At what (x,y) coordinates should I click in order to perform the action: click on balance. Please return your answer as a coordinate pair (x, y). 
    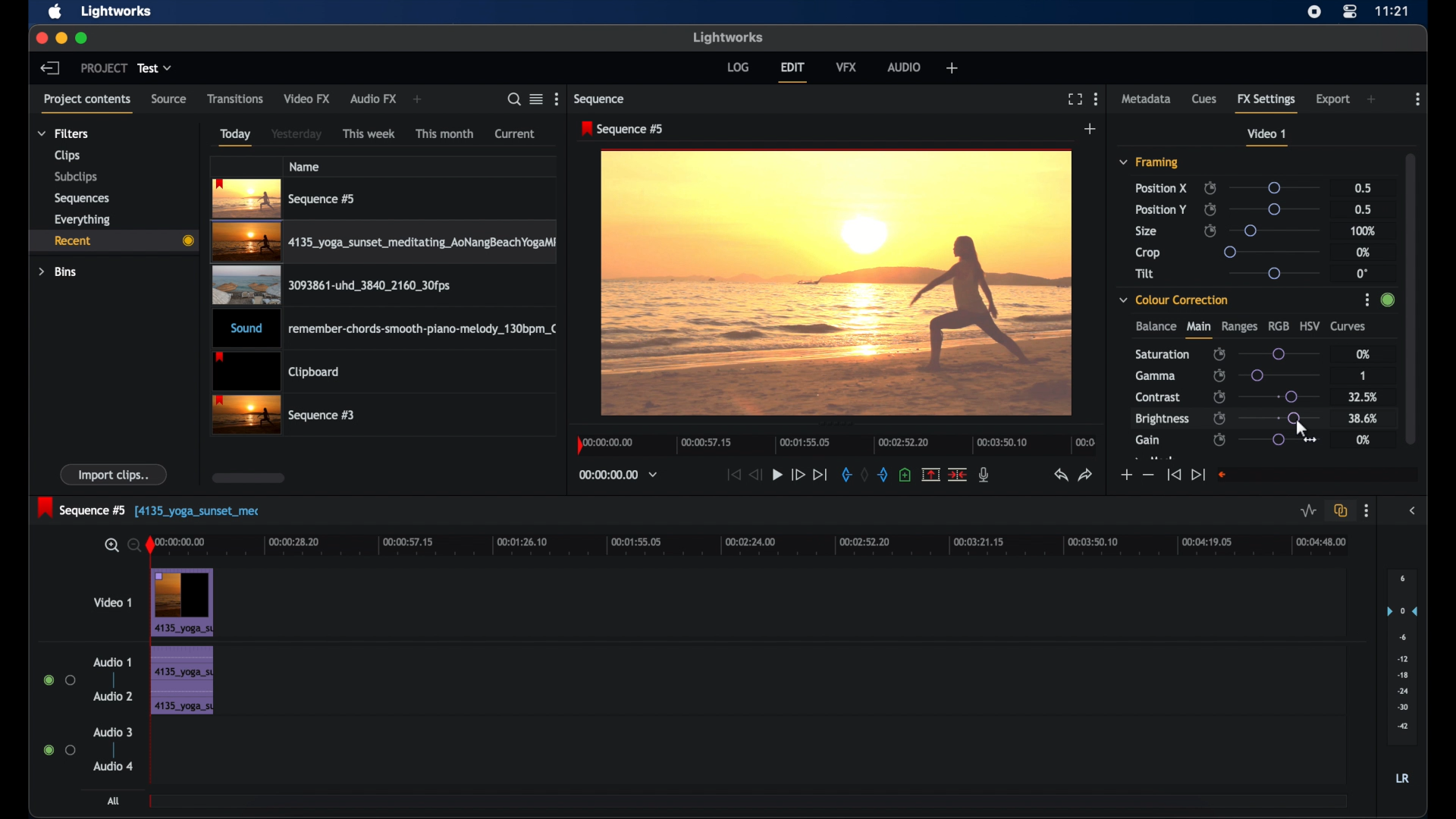
    Looking at the image, I should click on (1155, 326).